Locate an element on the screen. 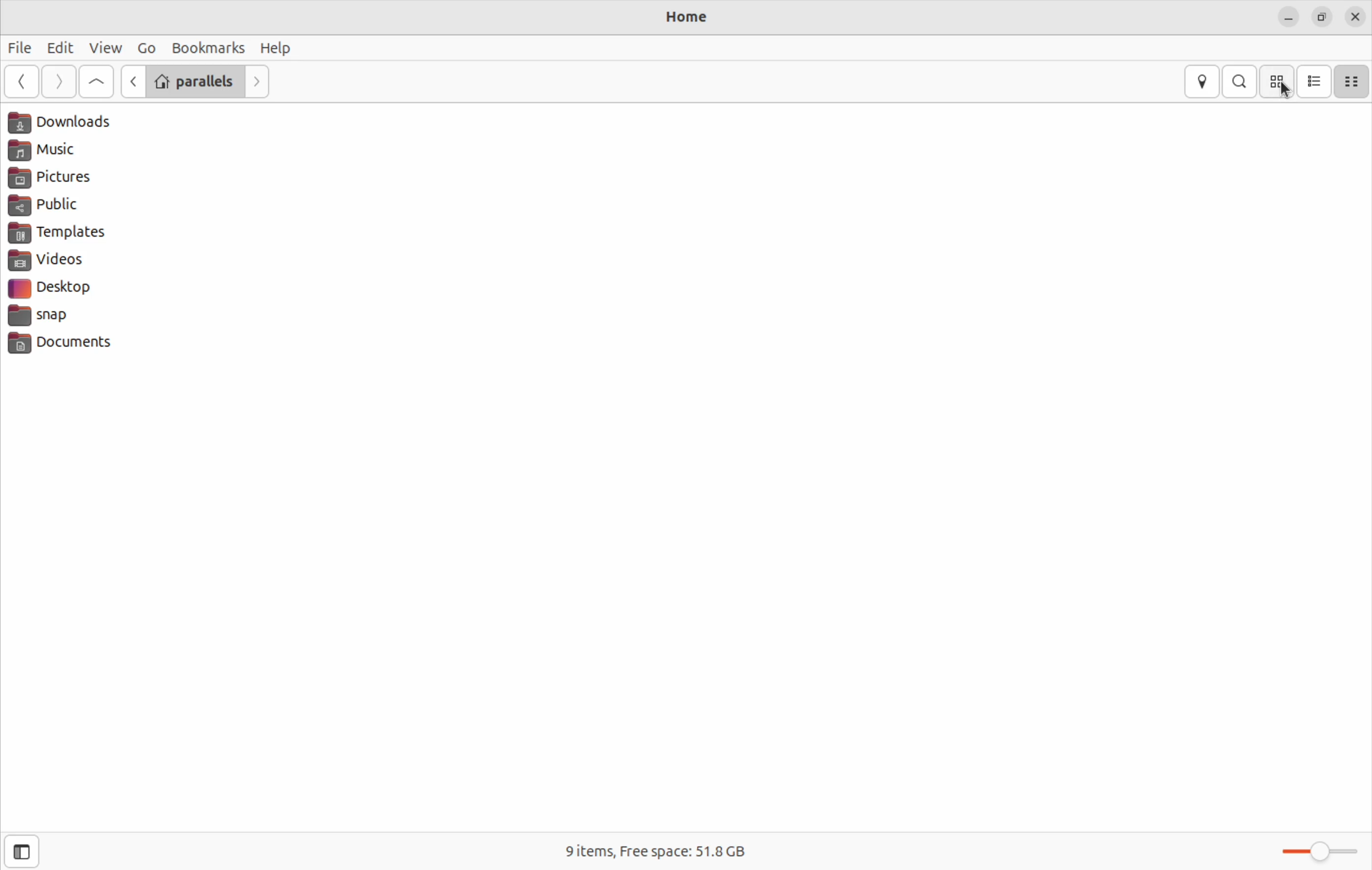 Image resolution: width=1372 pixels, height=870 pixels. Downloads is located at coordinates (81, 122).